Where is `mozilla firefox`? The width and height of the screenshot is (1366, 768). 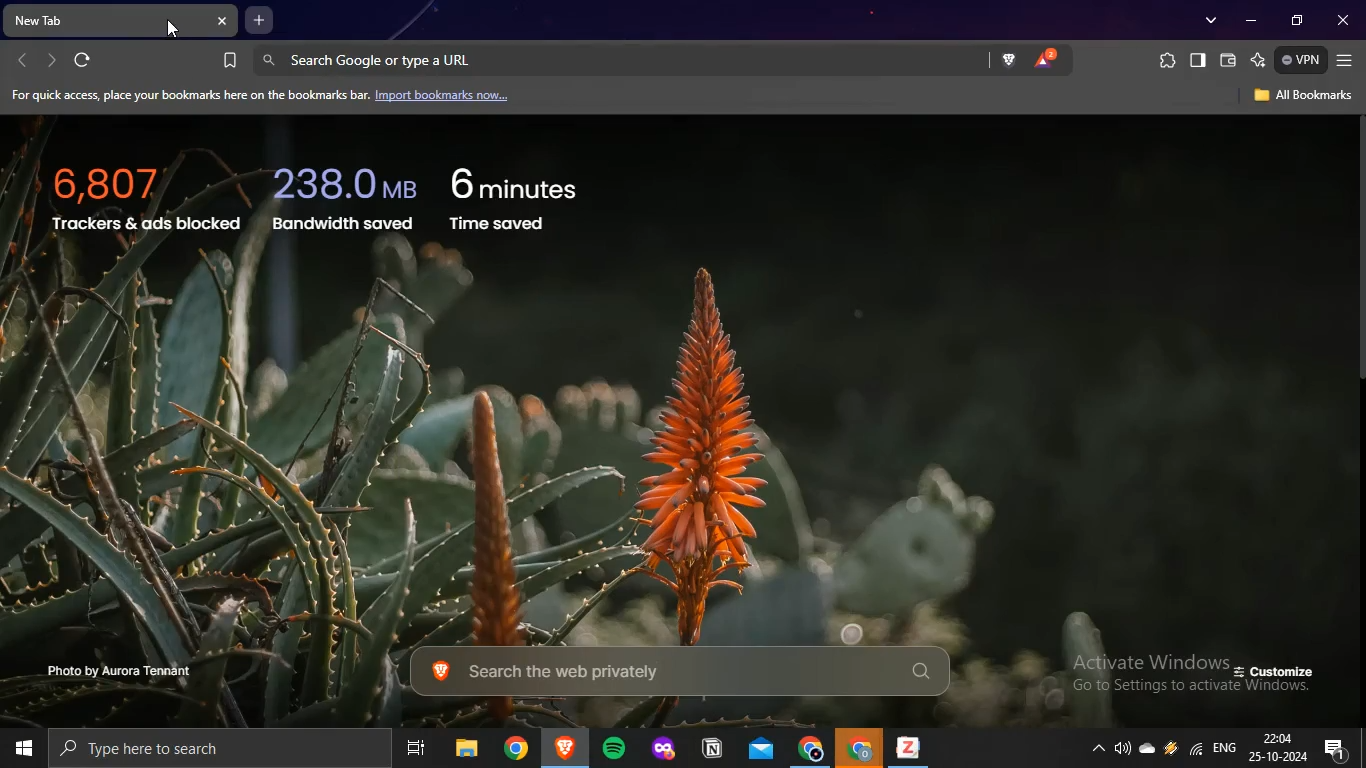
mozilla firefox is located at coordinates (666, 751).